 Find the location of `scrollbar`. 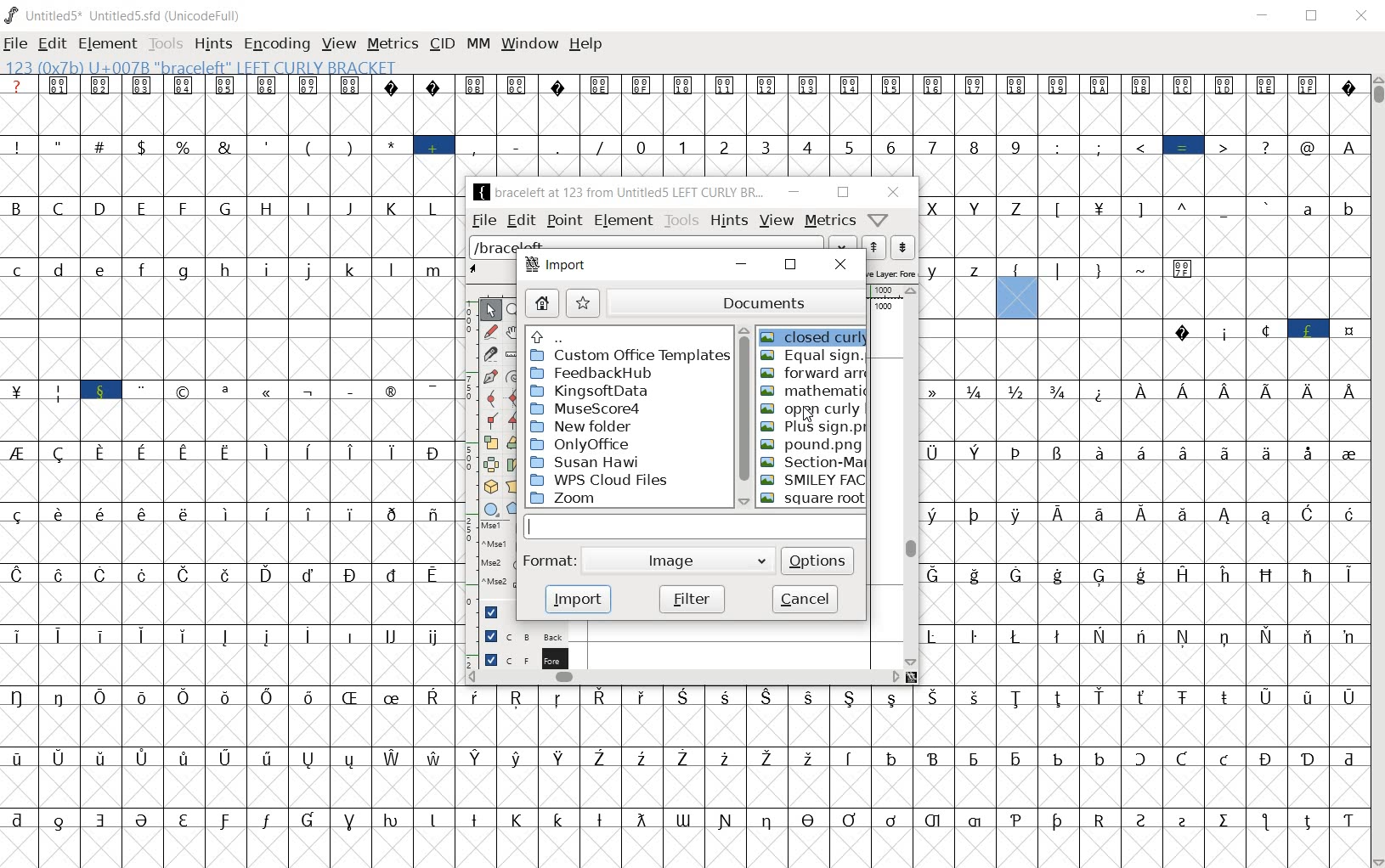

scrollbar is located at coordinates (686, 677).